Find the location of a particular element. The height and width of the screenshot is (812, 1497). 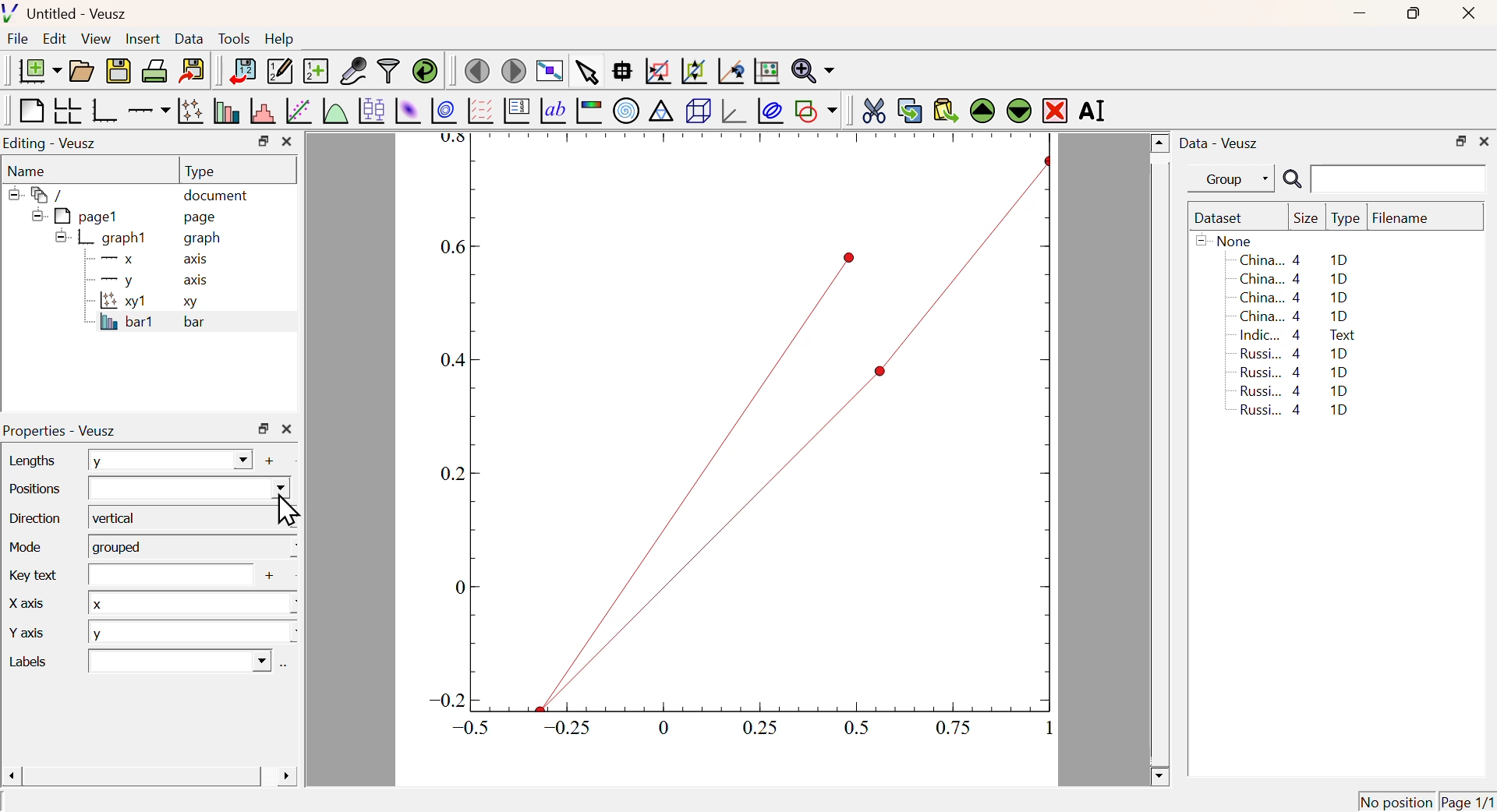

Type is located at coordinates (200, 171).